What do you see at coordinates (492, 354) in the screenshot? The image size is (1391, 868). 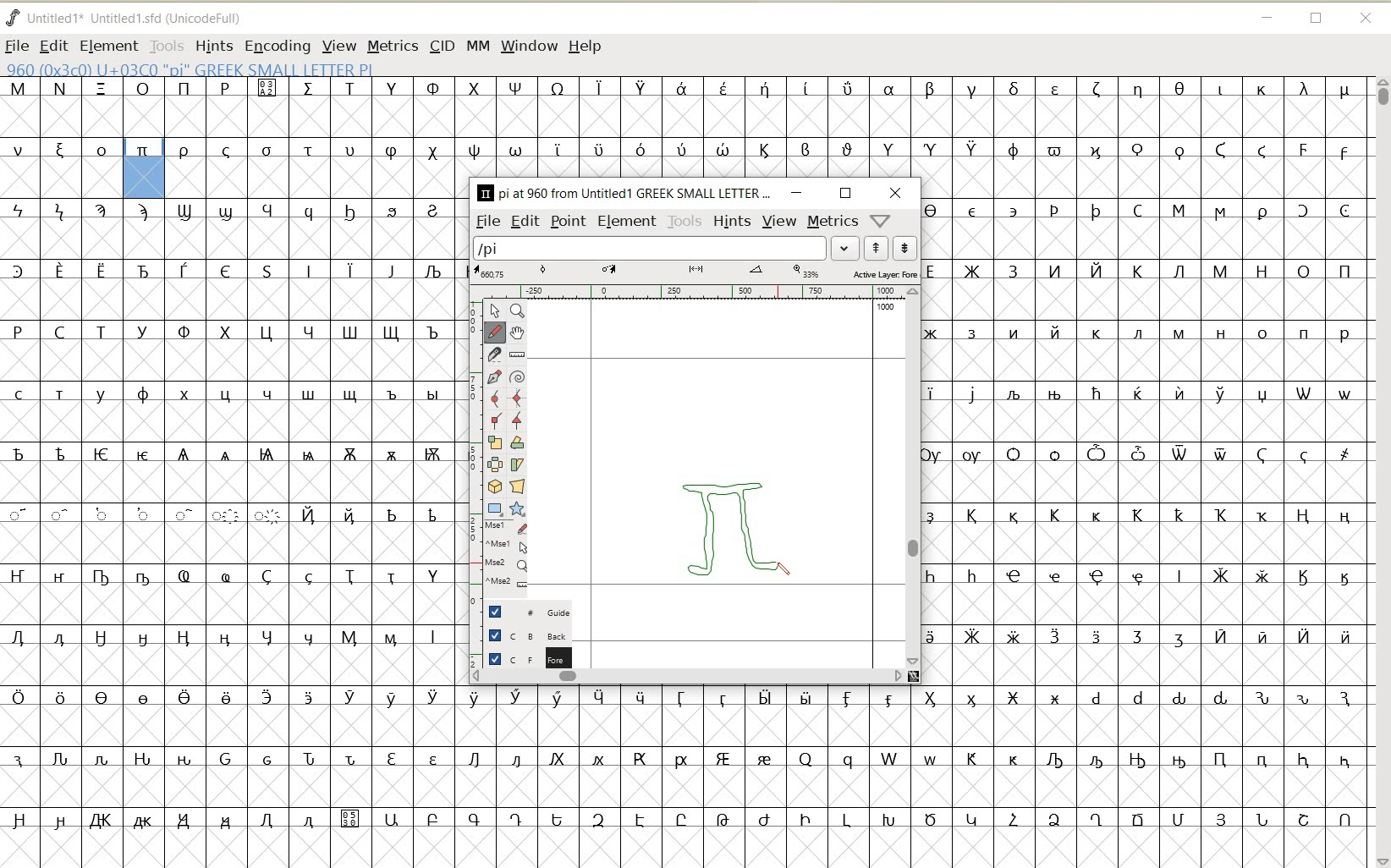 I see `cut splines in two` at bounding box center [492, 354].